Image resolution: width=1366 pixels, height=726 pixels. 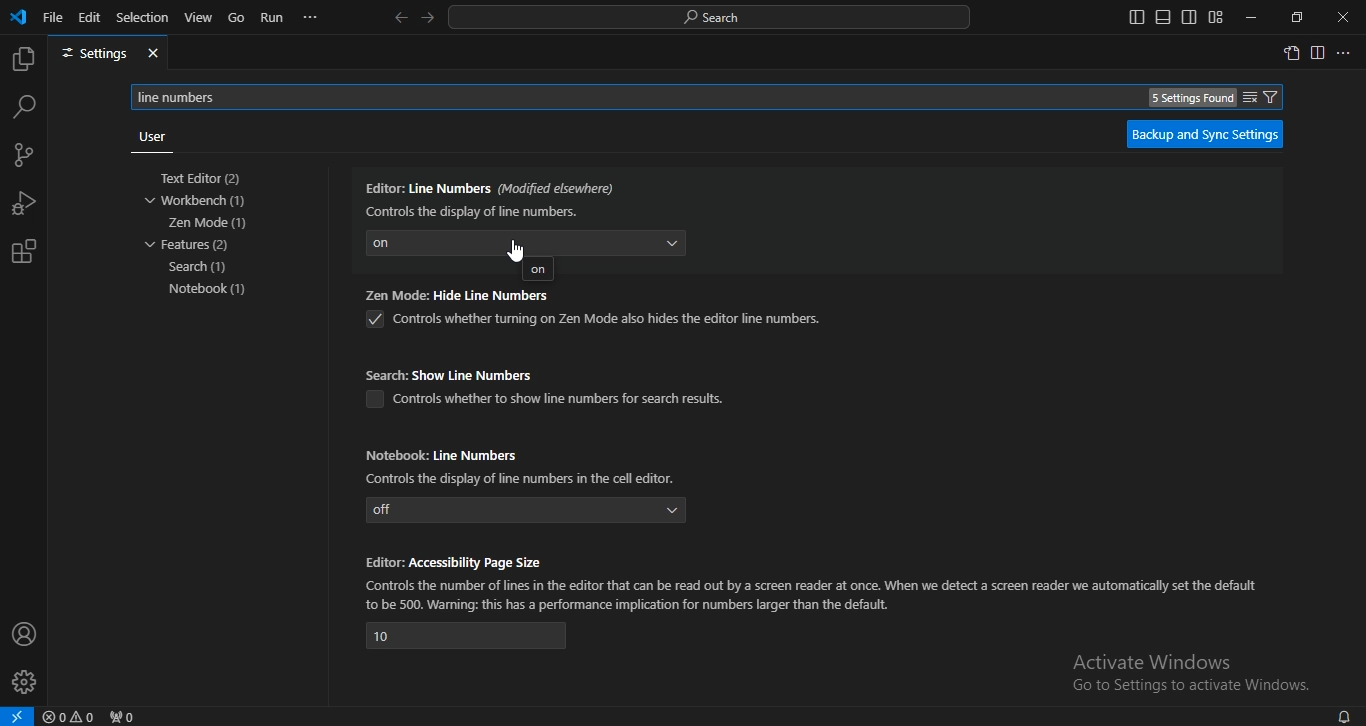 I want to click on workbench, so click(x=204, y=201).